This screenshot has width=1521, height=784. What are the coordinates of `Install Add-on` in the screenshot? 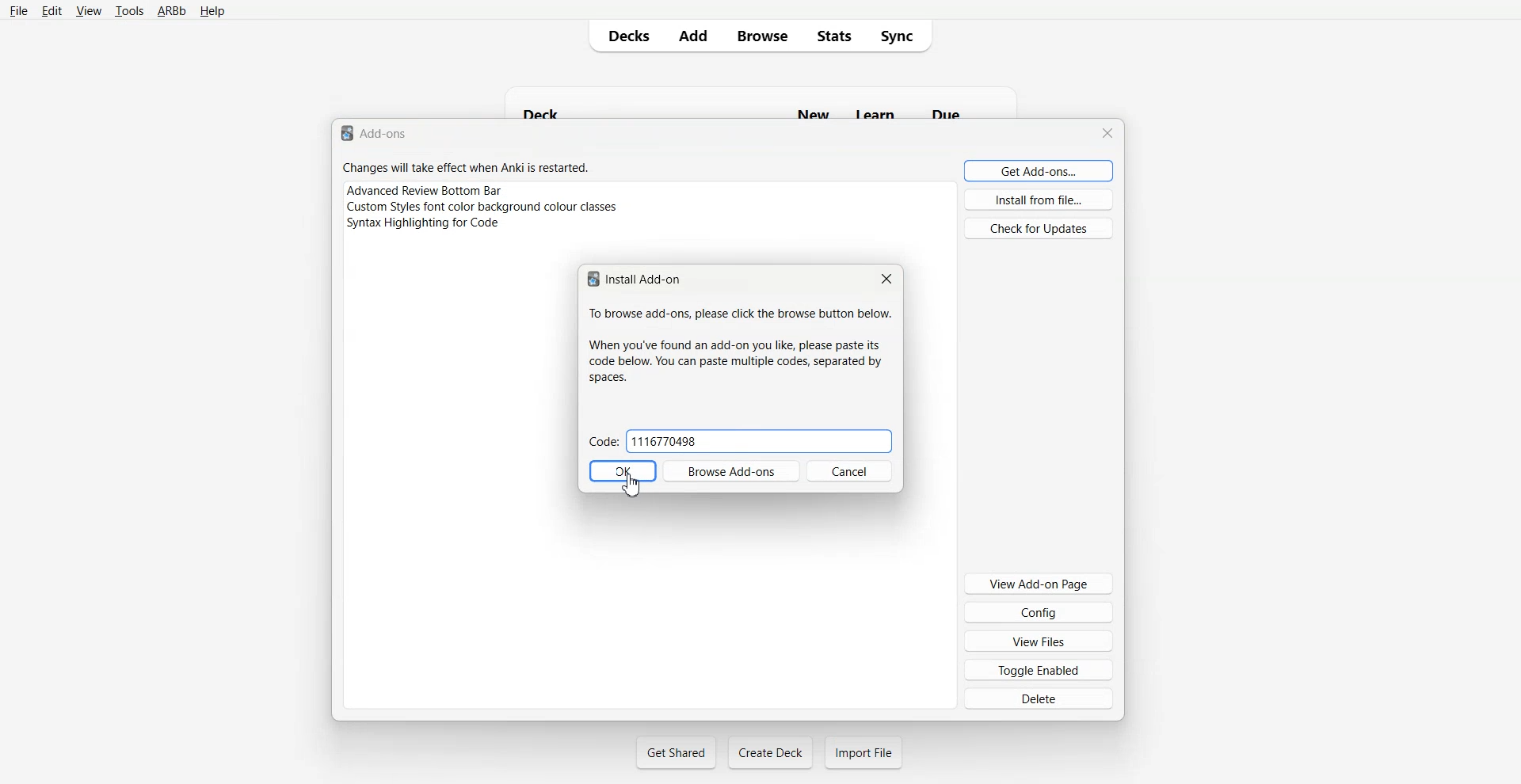 It's located at (635, 280).